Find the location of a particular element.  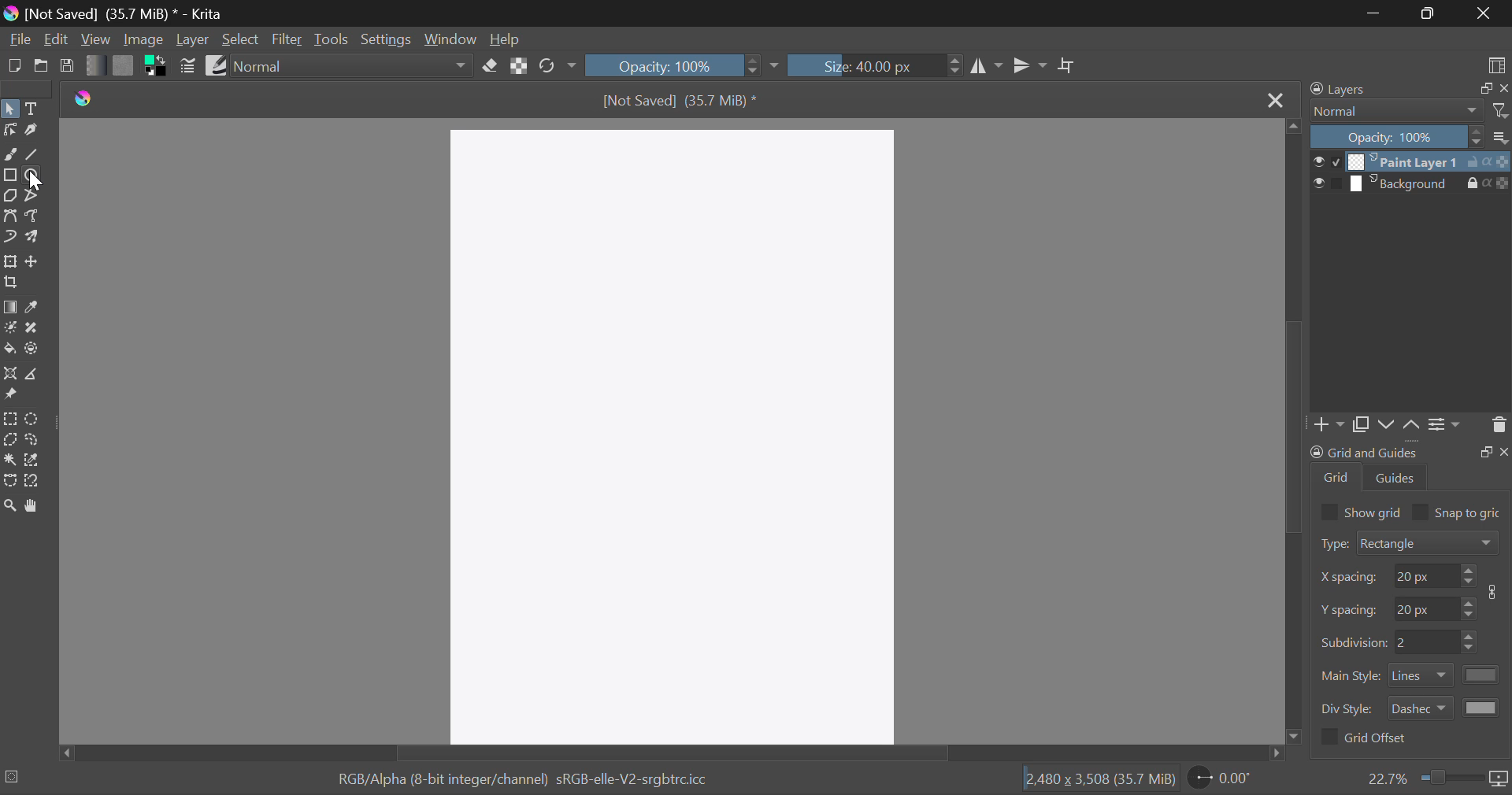

Freehand Path Tool is located at coordinates (33, 215).